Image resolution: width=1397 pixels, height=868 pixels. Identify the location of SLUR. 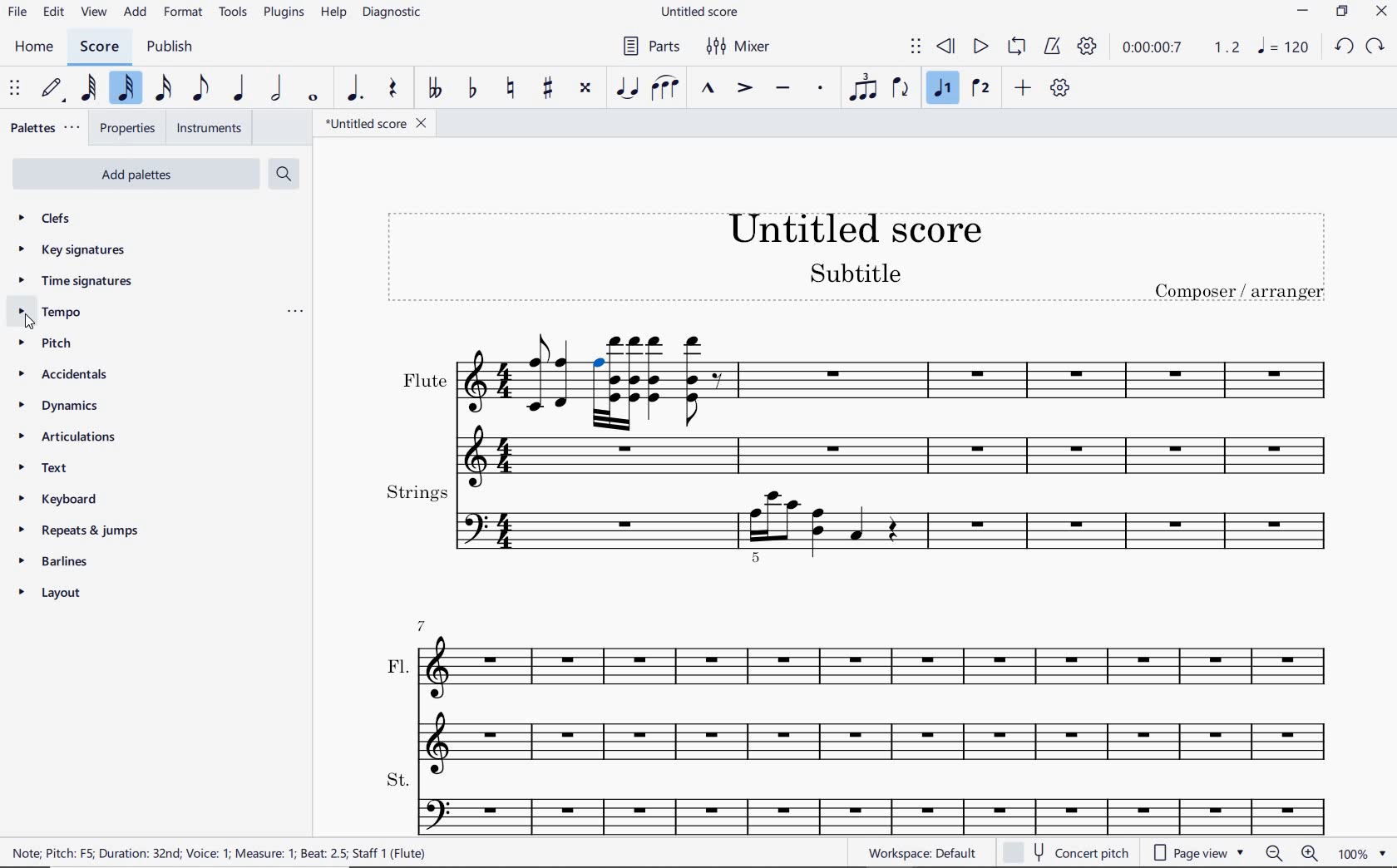
(664, 89).